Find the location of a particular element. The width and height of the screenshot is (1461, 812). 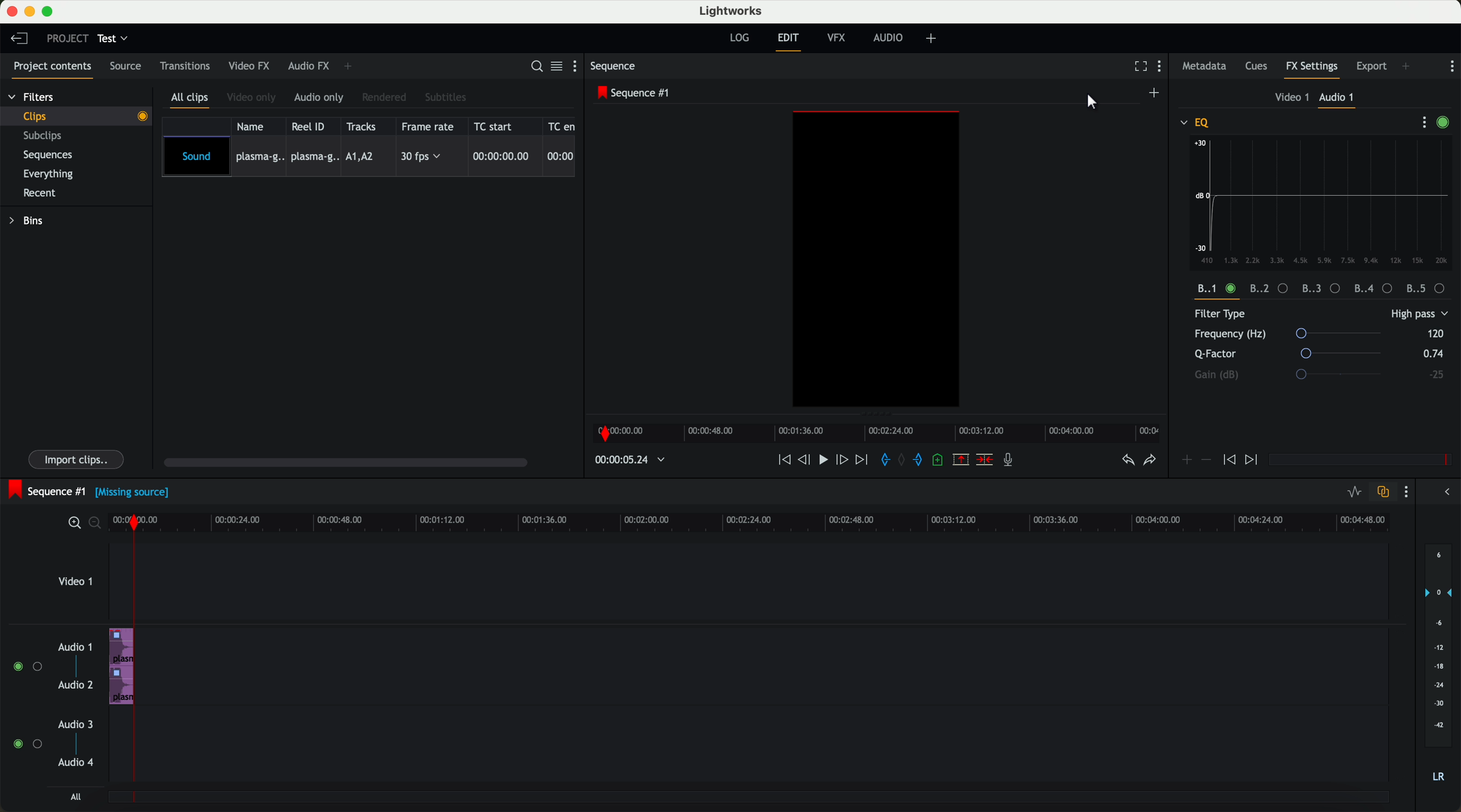

delete/cut is located at coordinates (983, 460).